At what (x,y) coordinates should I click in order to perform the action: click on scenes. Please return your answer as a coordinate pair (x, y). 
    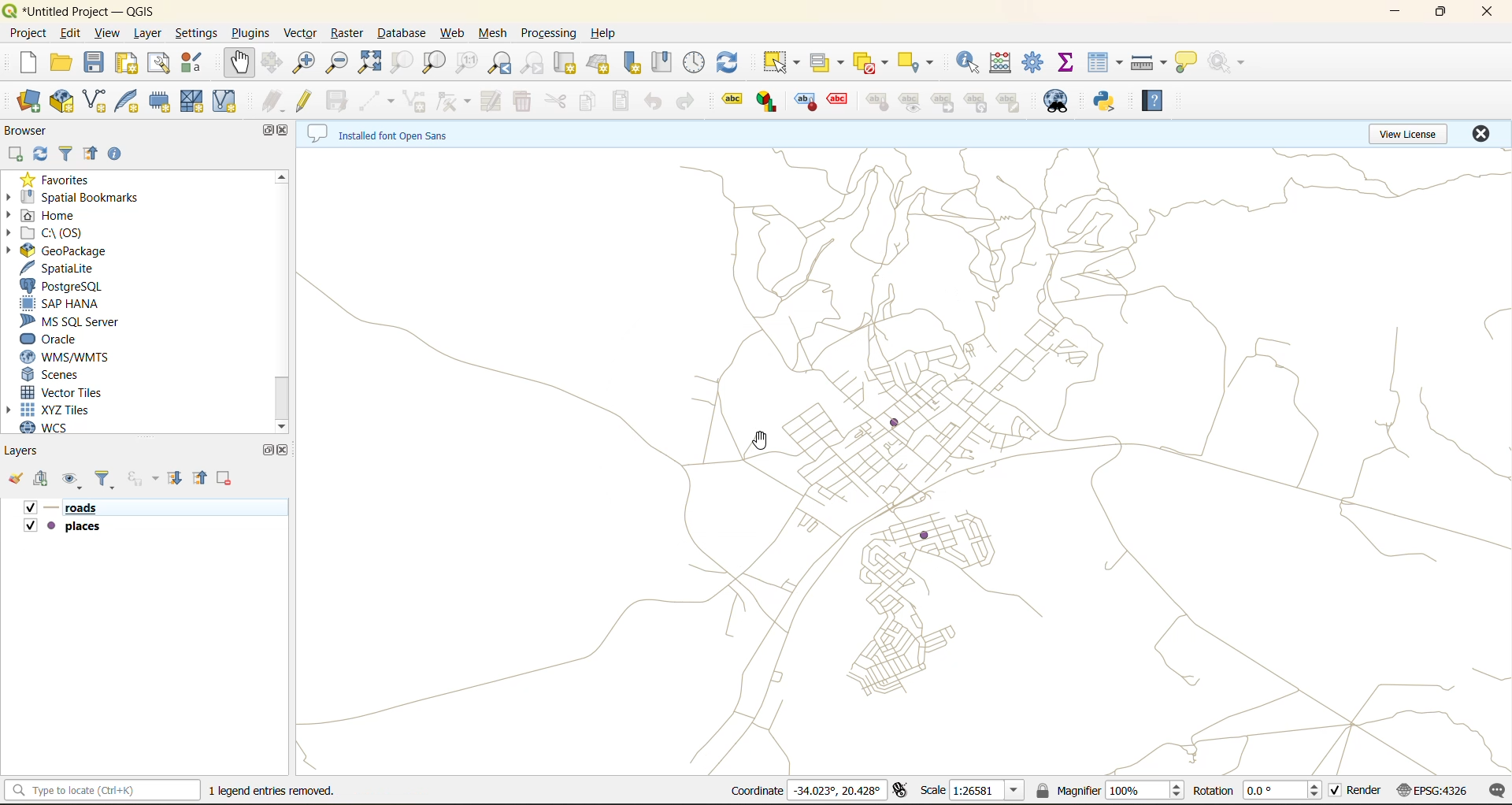
    Looking at the image, I should click on (70, 374).